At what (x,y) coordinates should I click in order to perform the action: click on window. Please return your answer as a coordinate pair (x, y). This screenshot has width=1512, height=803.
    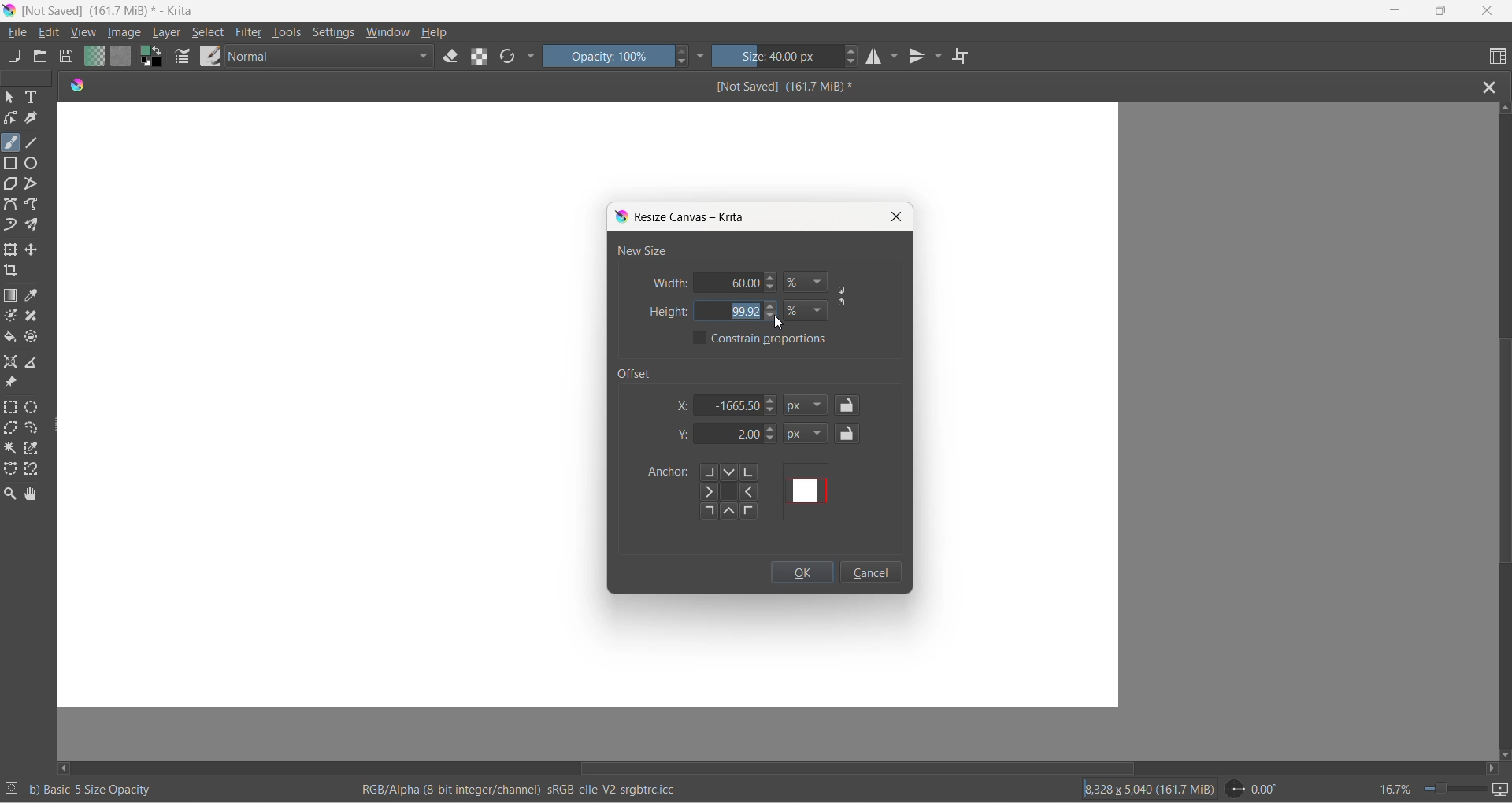
    Looking at the image, I should click on (387, 34).